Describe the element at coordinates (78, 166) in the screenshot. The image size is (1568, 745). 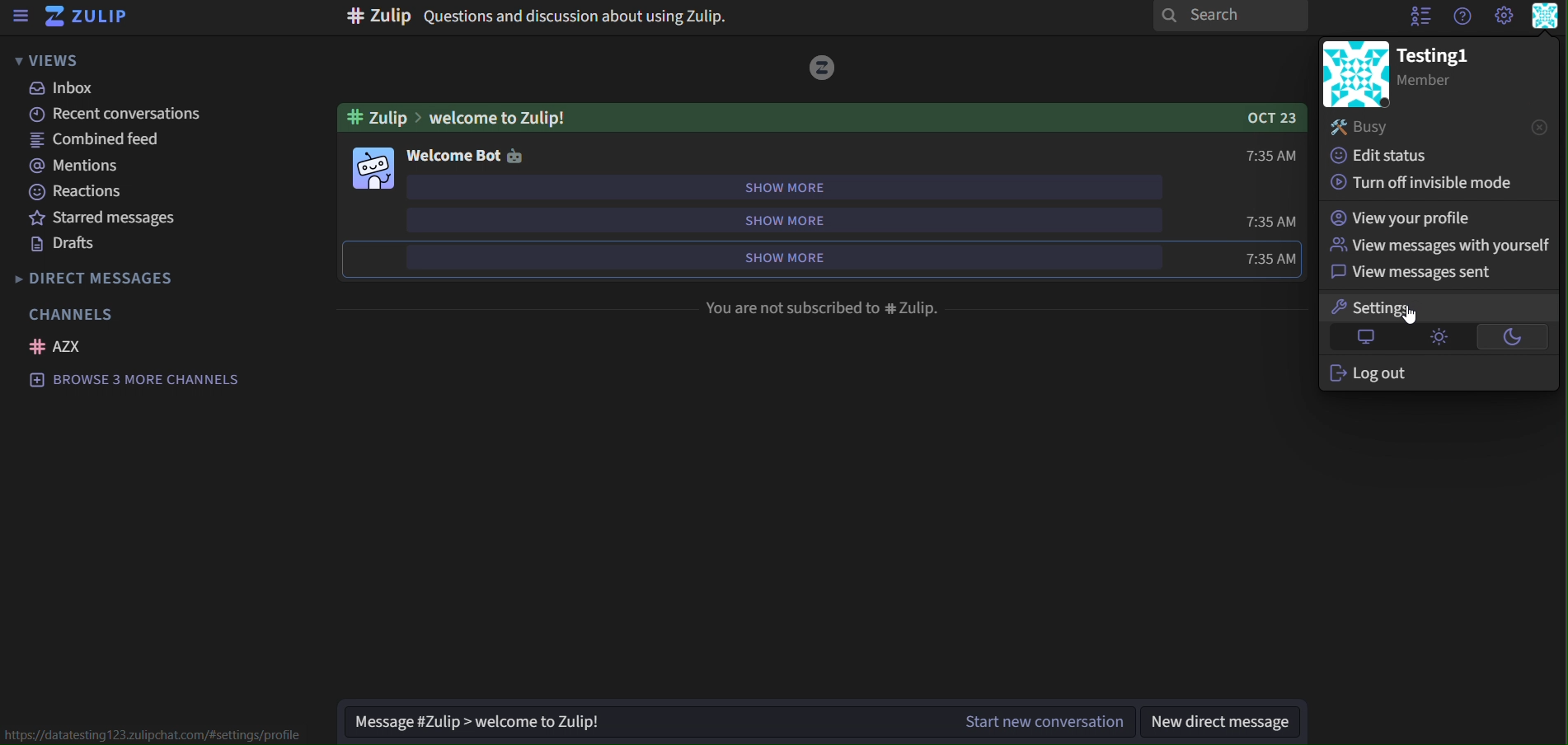
I see `mentions` at that location.